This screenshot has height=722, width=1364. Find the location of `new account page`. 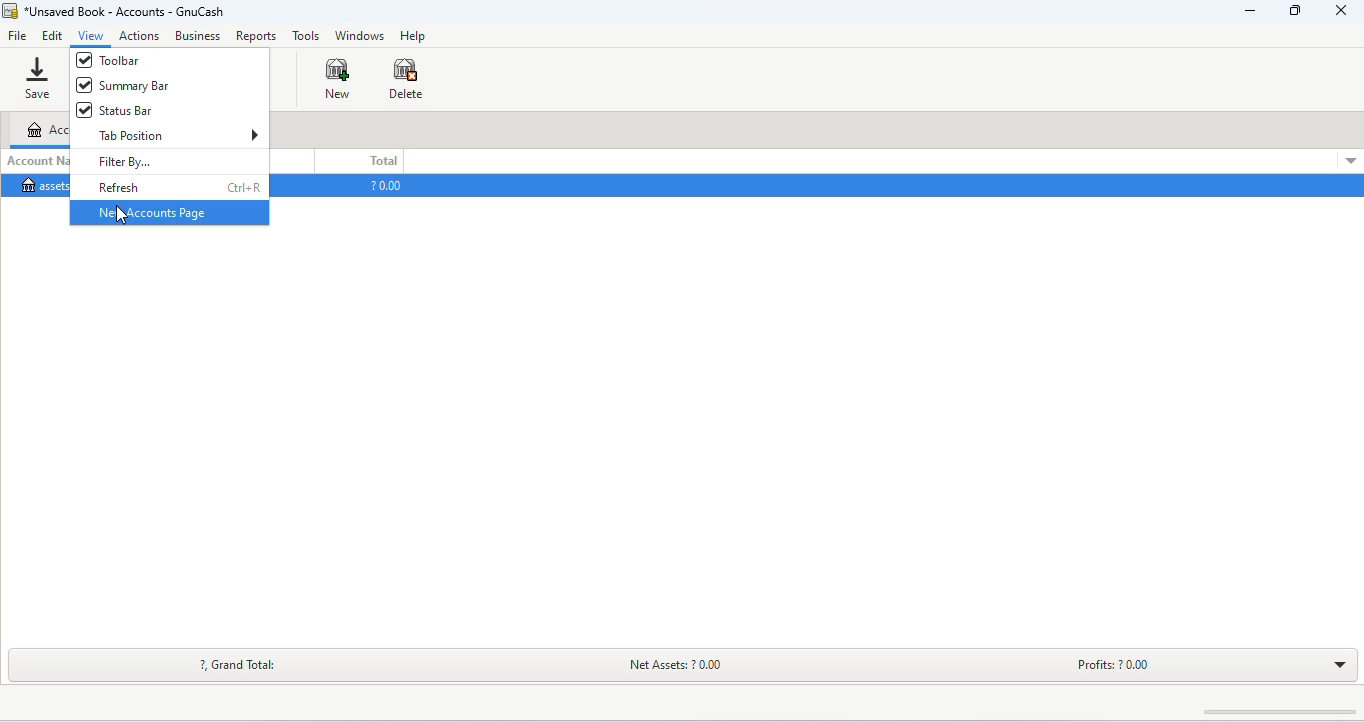

new account page is located at coordinates (168, 212).